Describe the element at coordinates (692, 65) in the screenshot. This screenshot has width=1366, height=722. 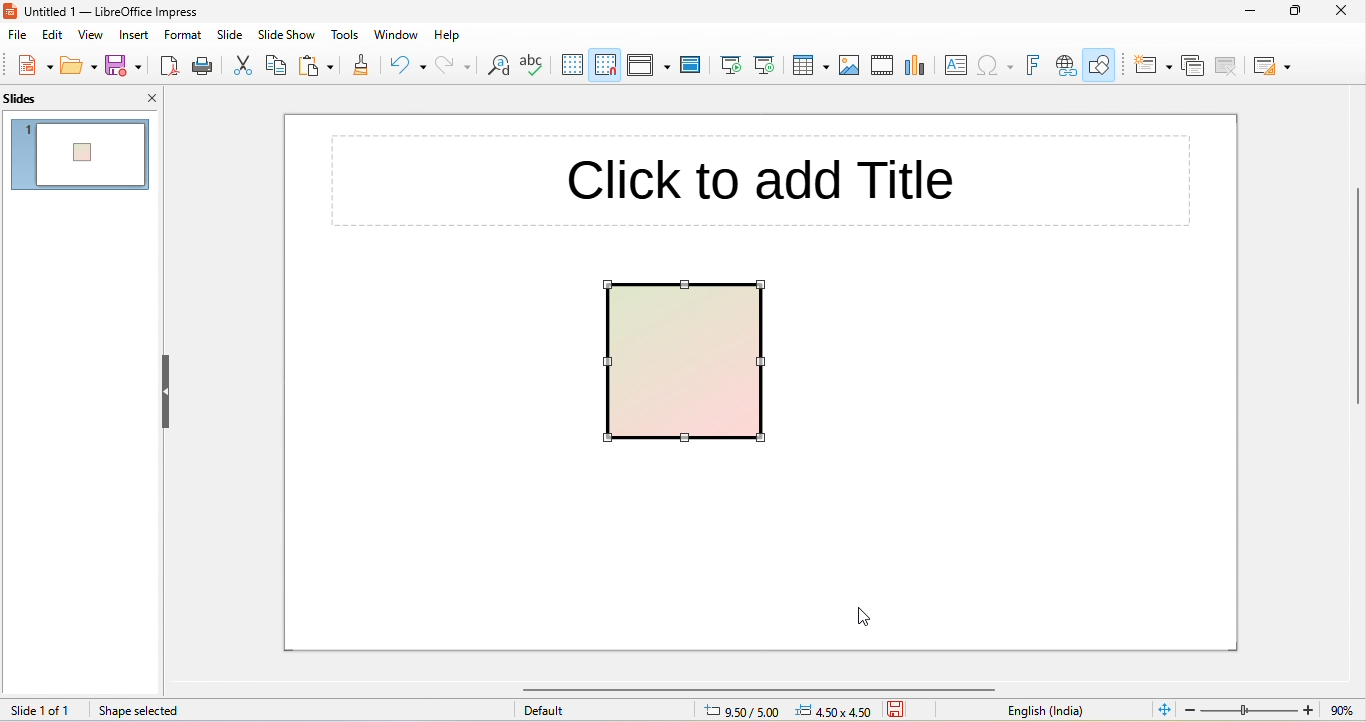
I see `master slide` at that location.